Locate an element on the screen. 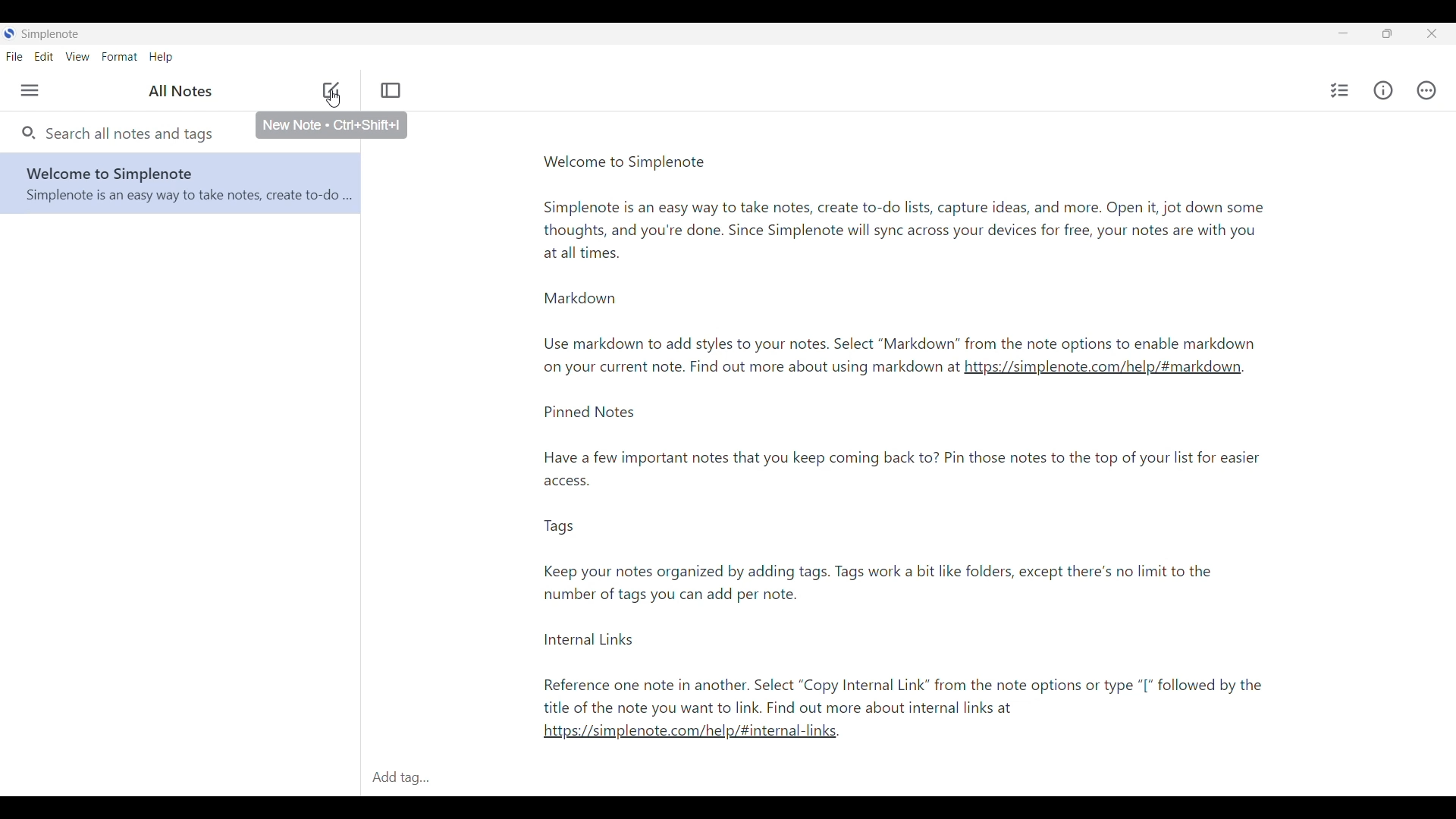 The height and width of the screenshot is (819, 1456). Format is located at coordinates (121, 57).